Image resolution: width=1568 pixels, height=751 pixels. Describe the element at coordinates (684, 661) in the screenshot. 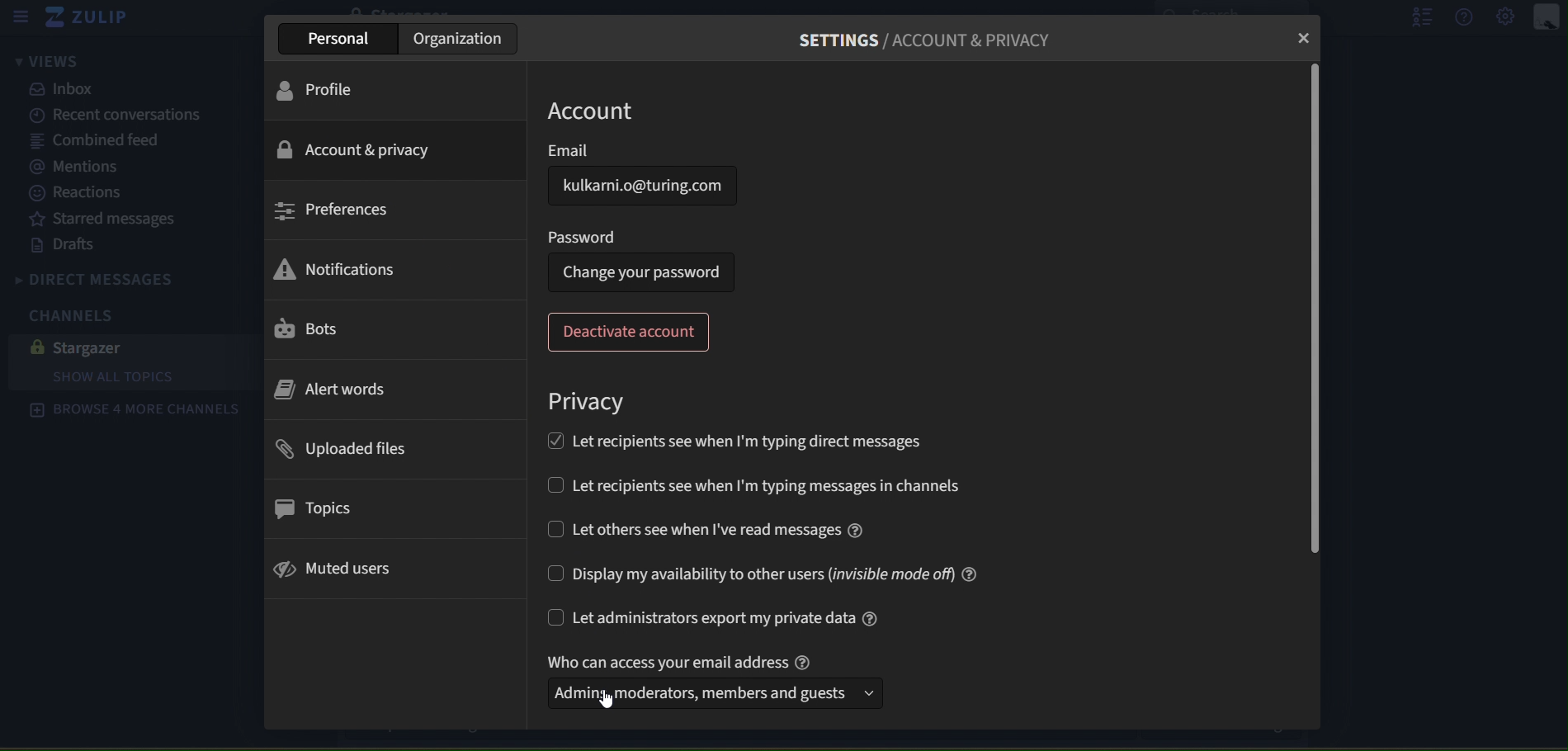

I see `who can access yr email address` at that location.